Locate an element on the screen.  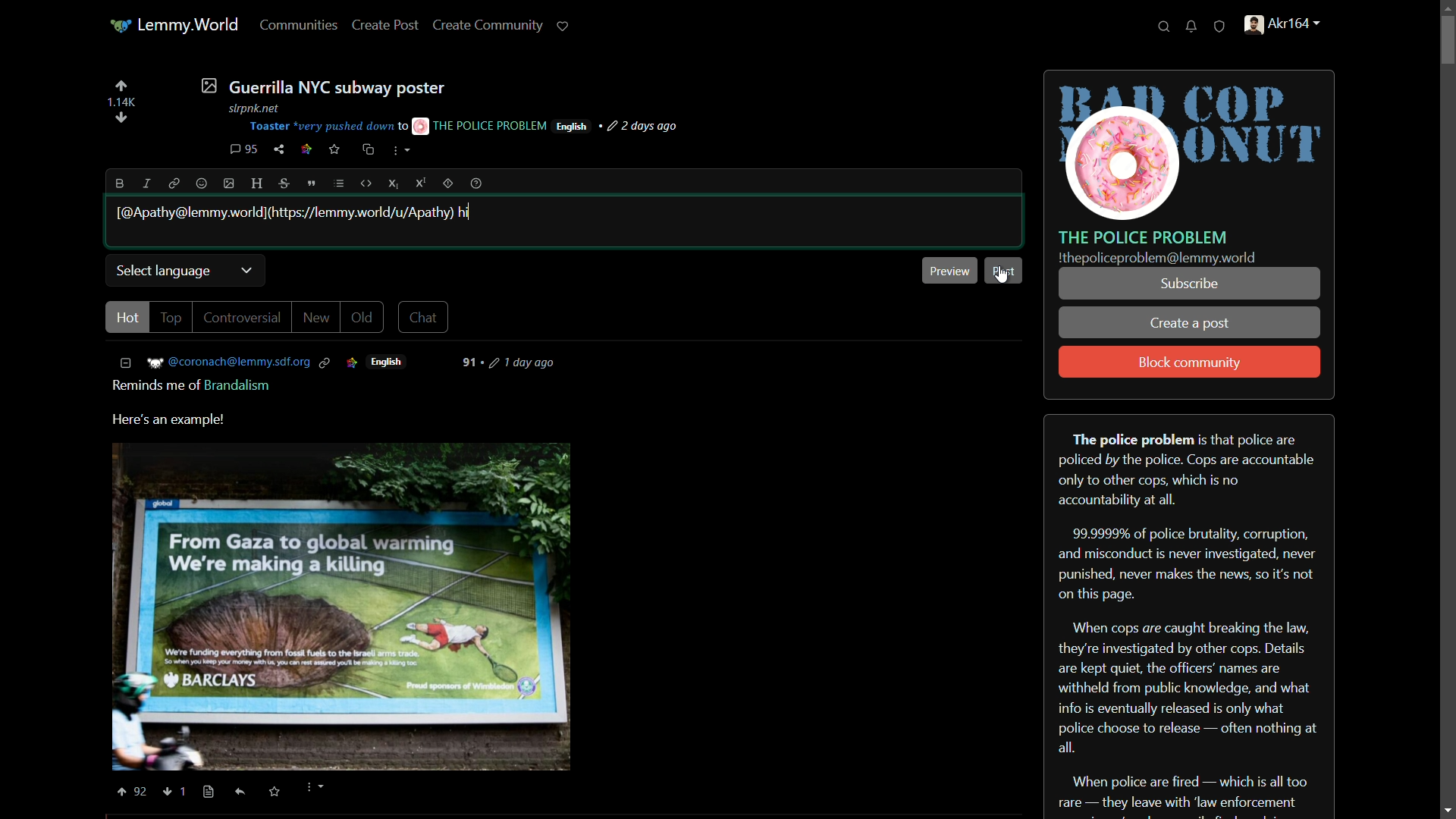
saved is located at coordinates (272, 792).